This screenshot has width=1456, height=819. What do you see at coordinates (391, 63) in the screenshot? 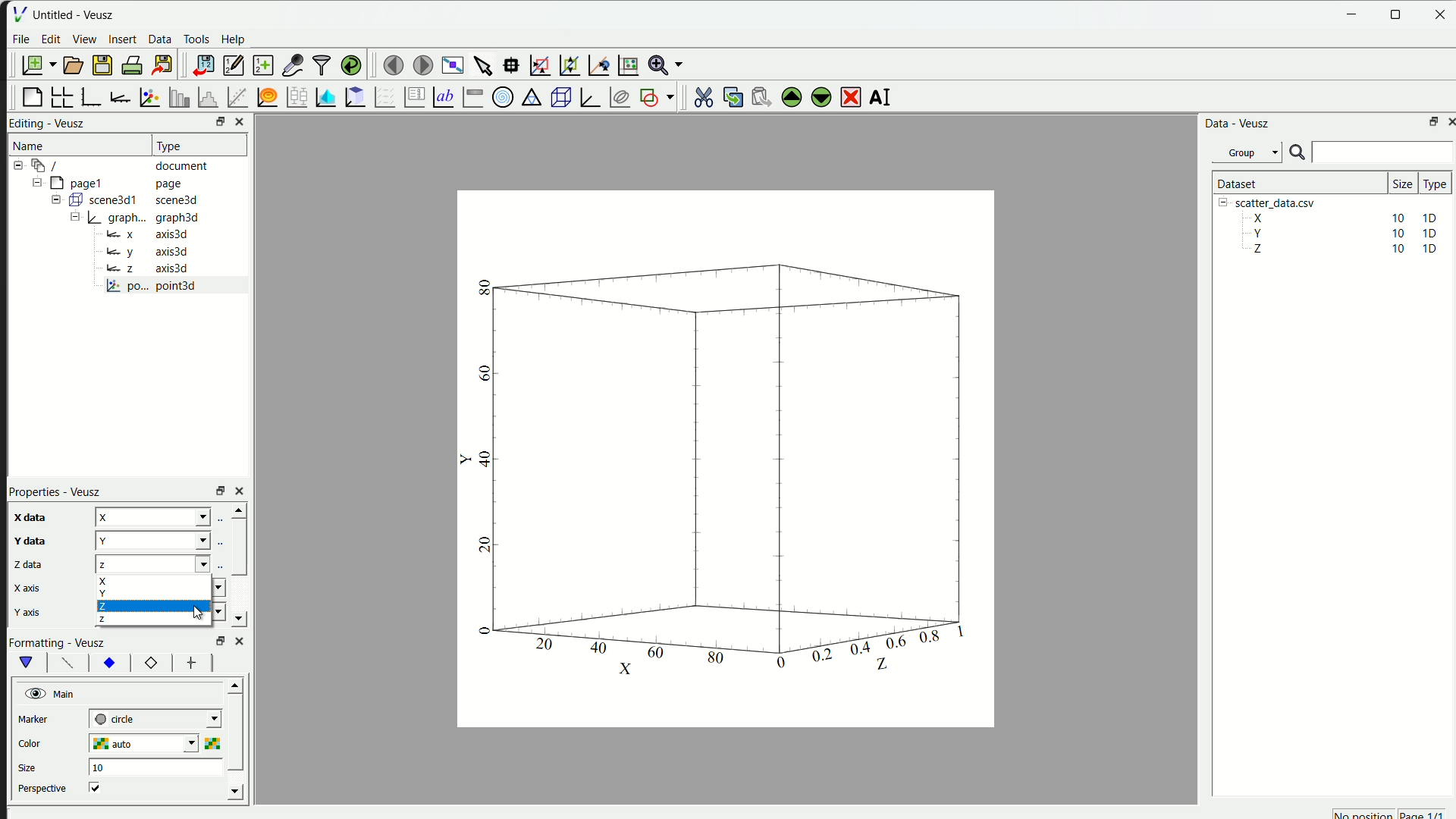
I see `move to previous page` at bounding box center [391, 63].